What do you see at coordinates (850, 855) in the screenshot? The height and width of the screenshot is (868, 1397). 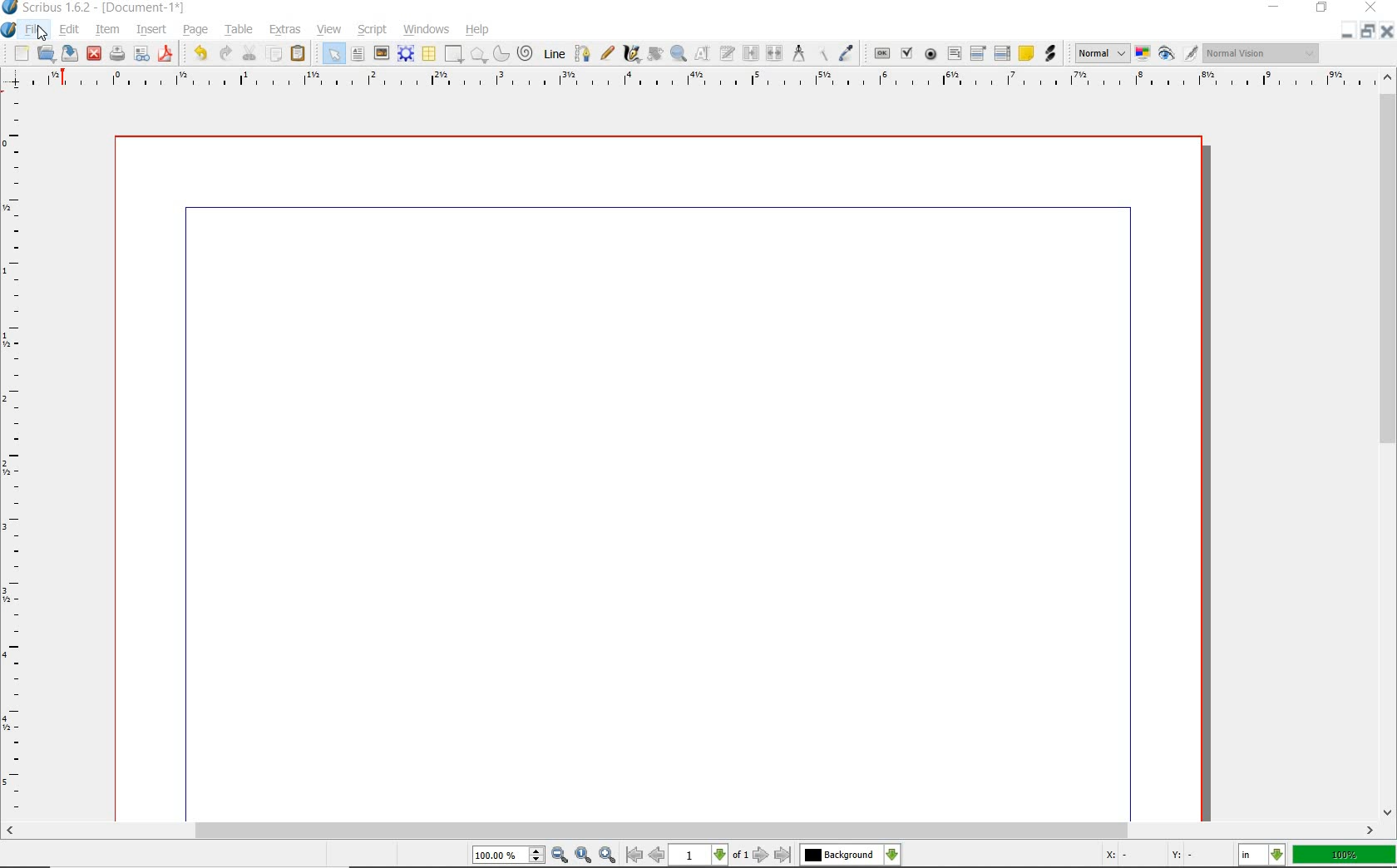 I see `select the current layer` at bounding box center [850, 855].